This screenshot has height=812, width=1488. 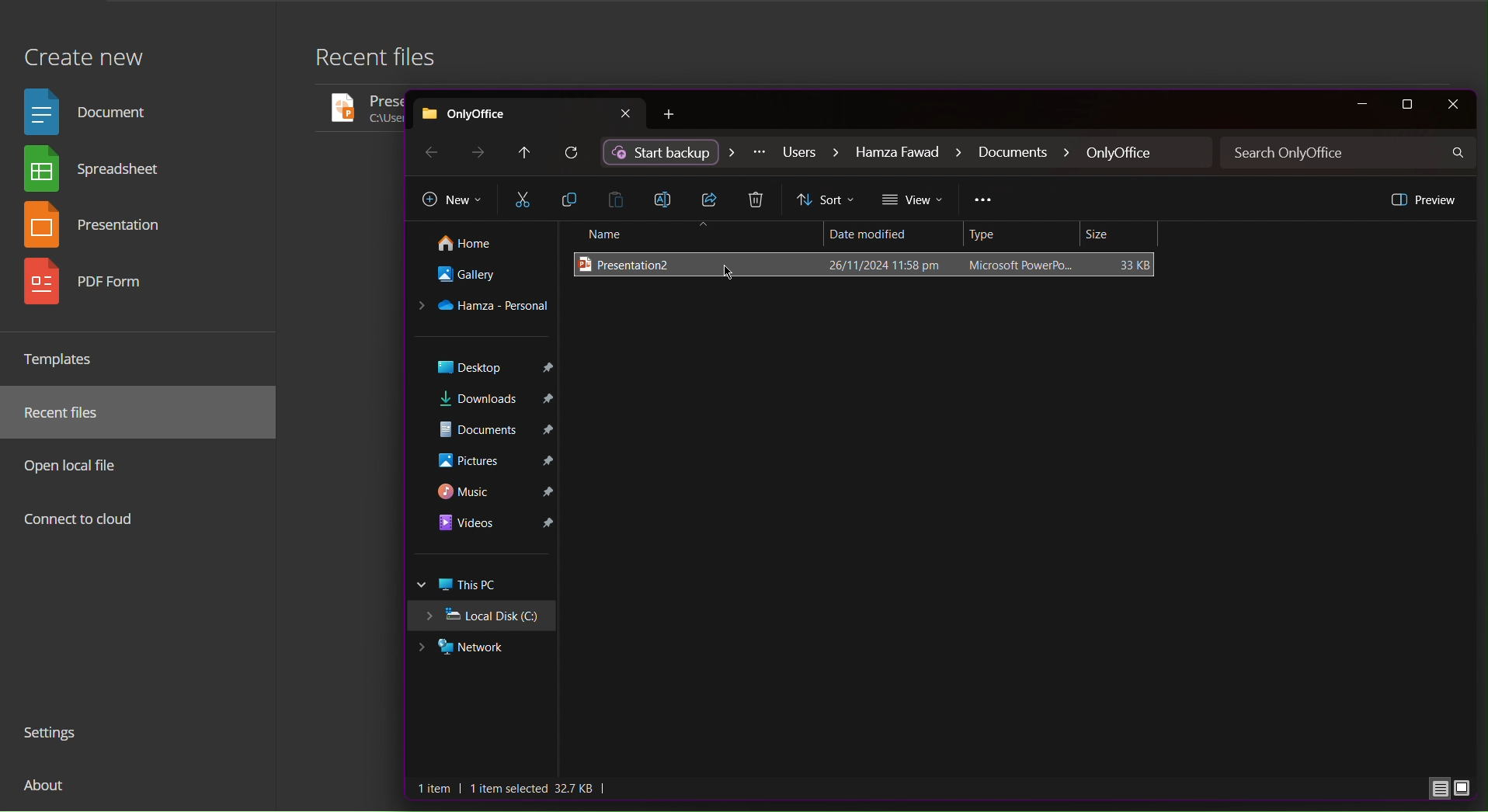 I want to click on Create New, so click(x=83, y=49).